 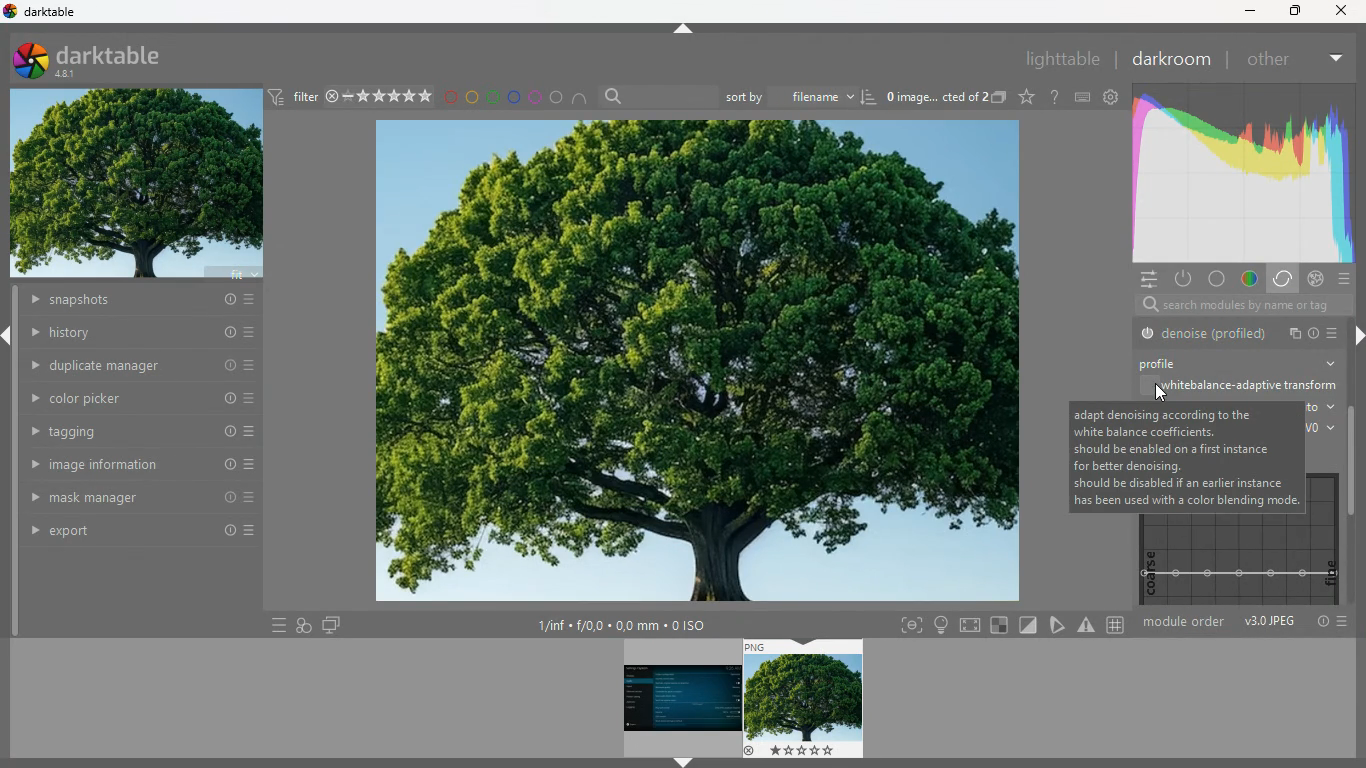 I want to click on screen, so click(x=332, y=626).